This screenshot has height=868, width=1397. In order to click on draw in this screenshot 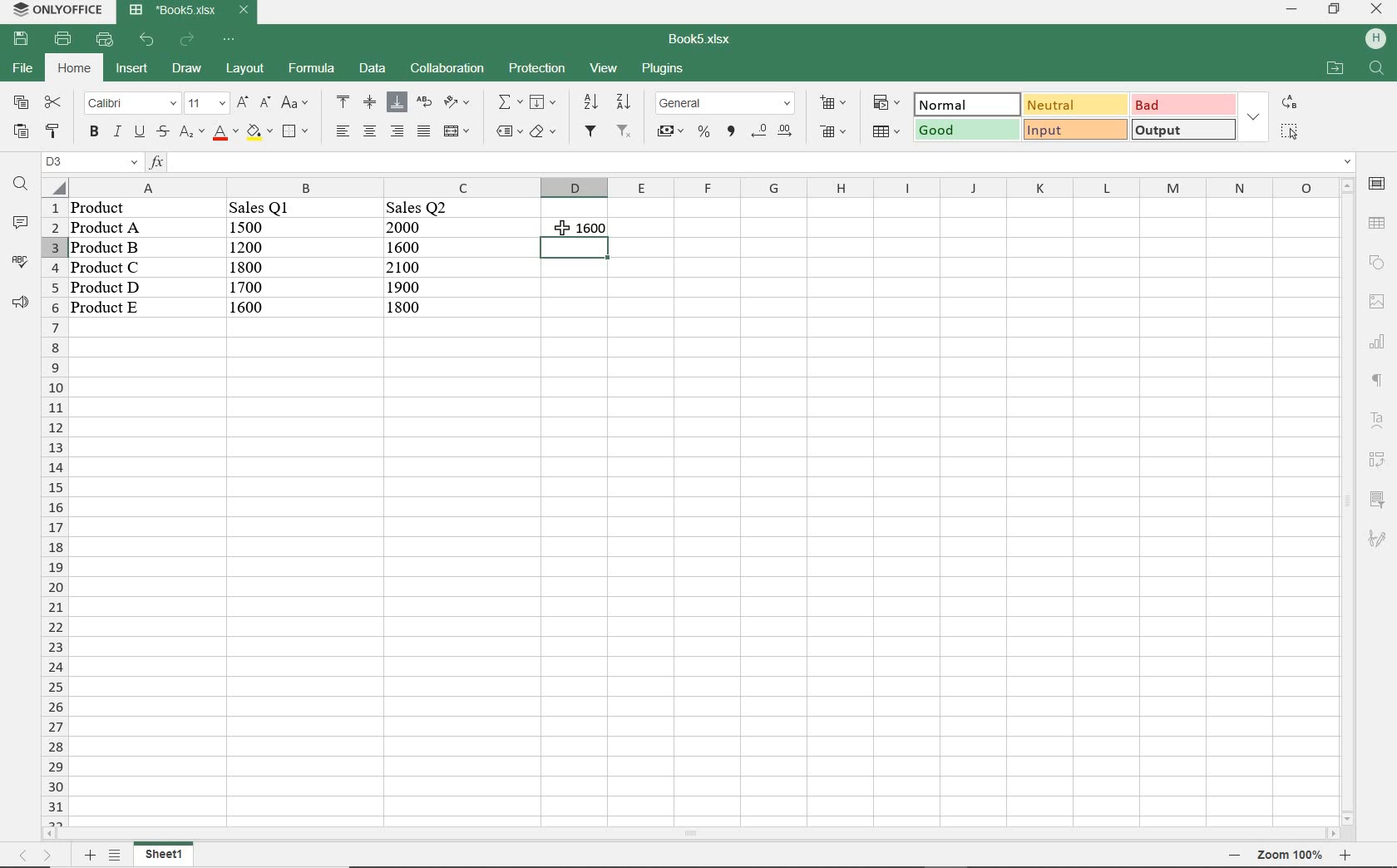, I will do `click(186, 68)`.